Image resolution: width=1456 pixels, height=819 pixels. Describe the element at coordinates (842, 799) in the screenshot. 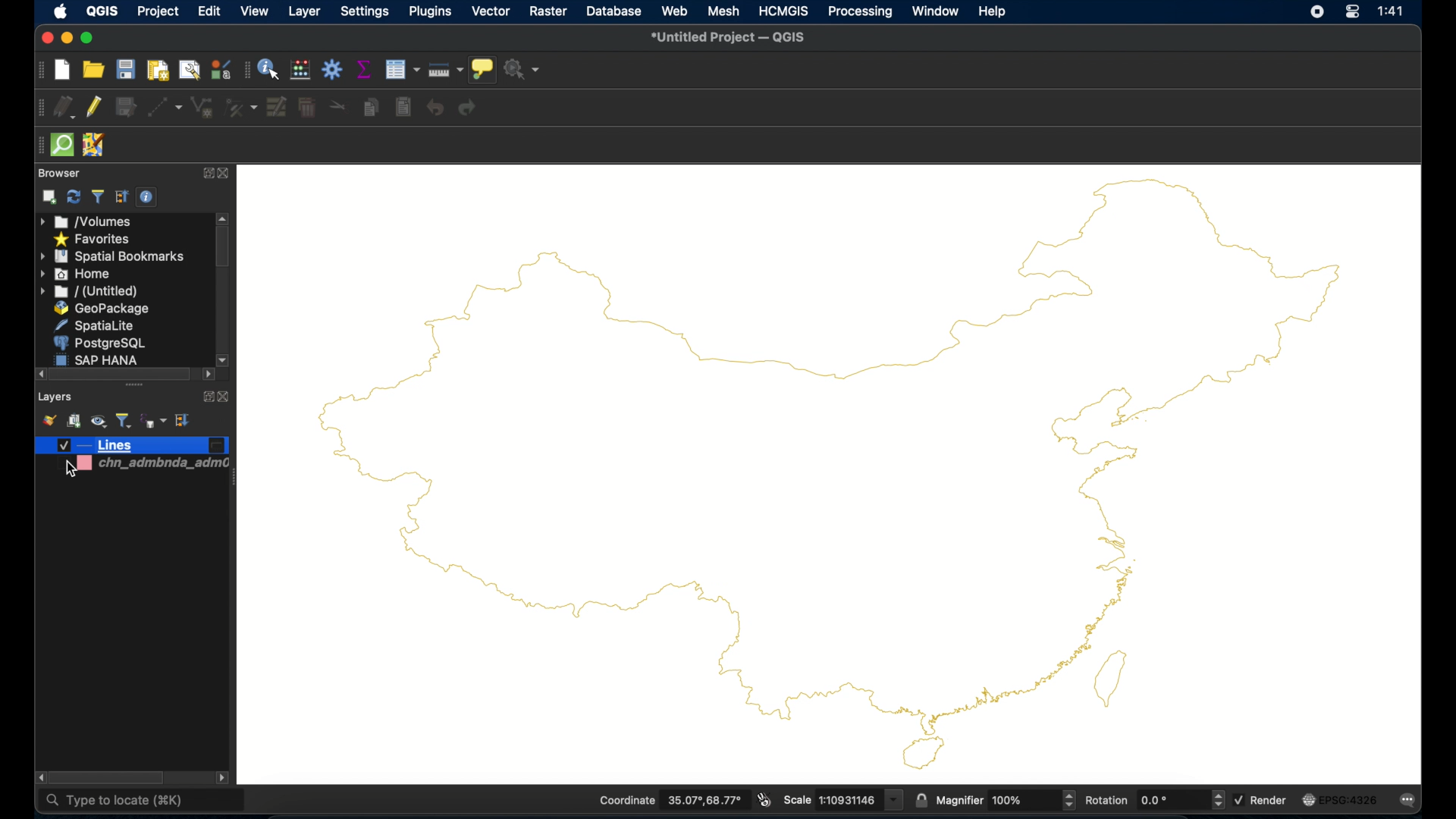

I see `scale` at that location.